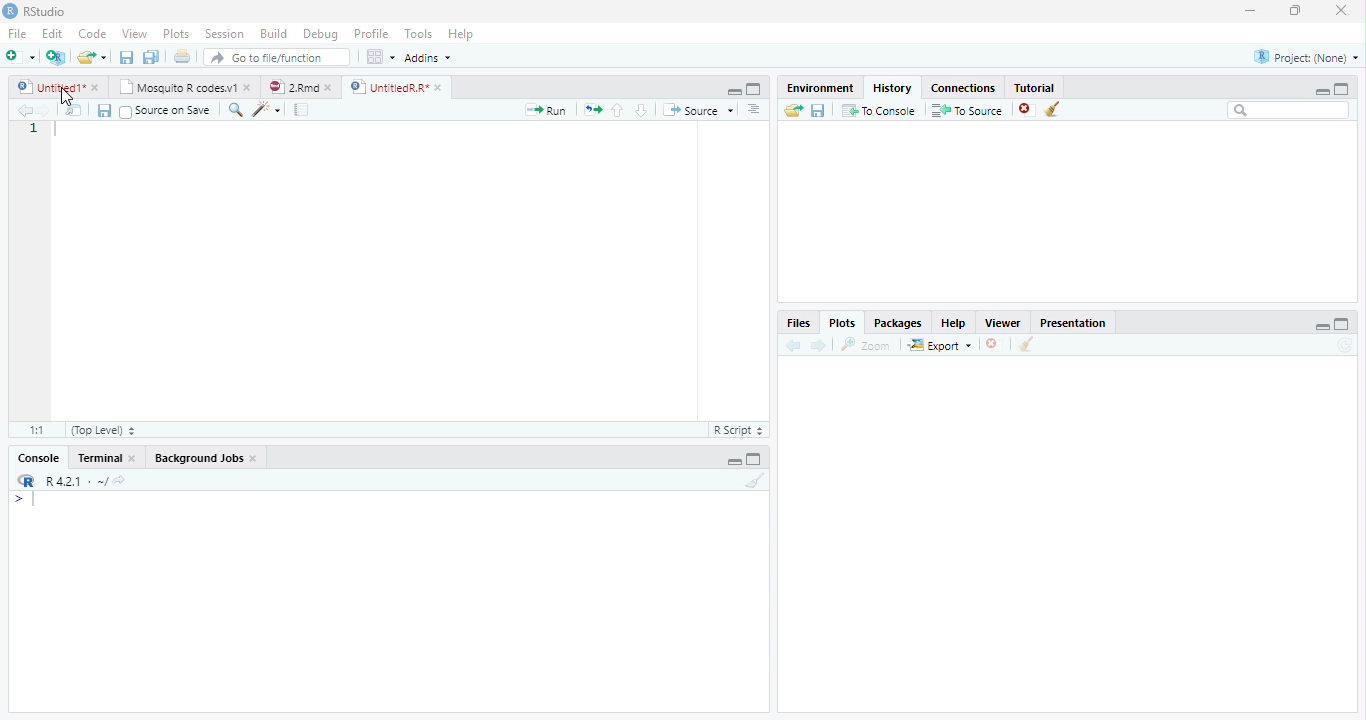 The height and width of the screenshot is (720, 1366). What do you see at coordinates (755, 91) in the screenshot?
I see `Maximize` at bounding box center [755, 91].